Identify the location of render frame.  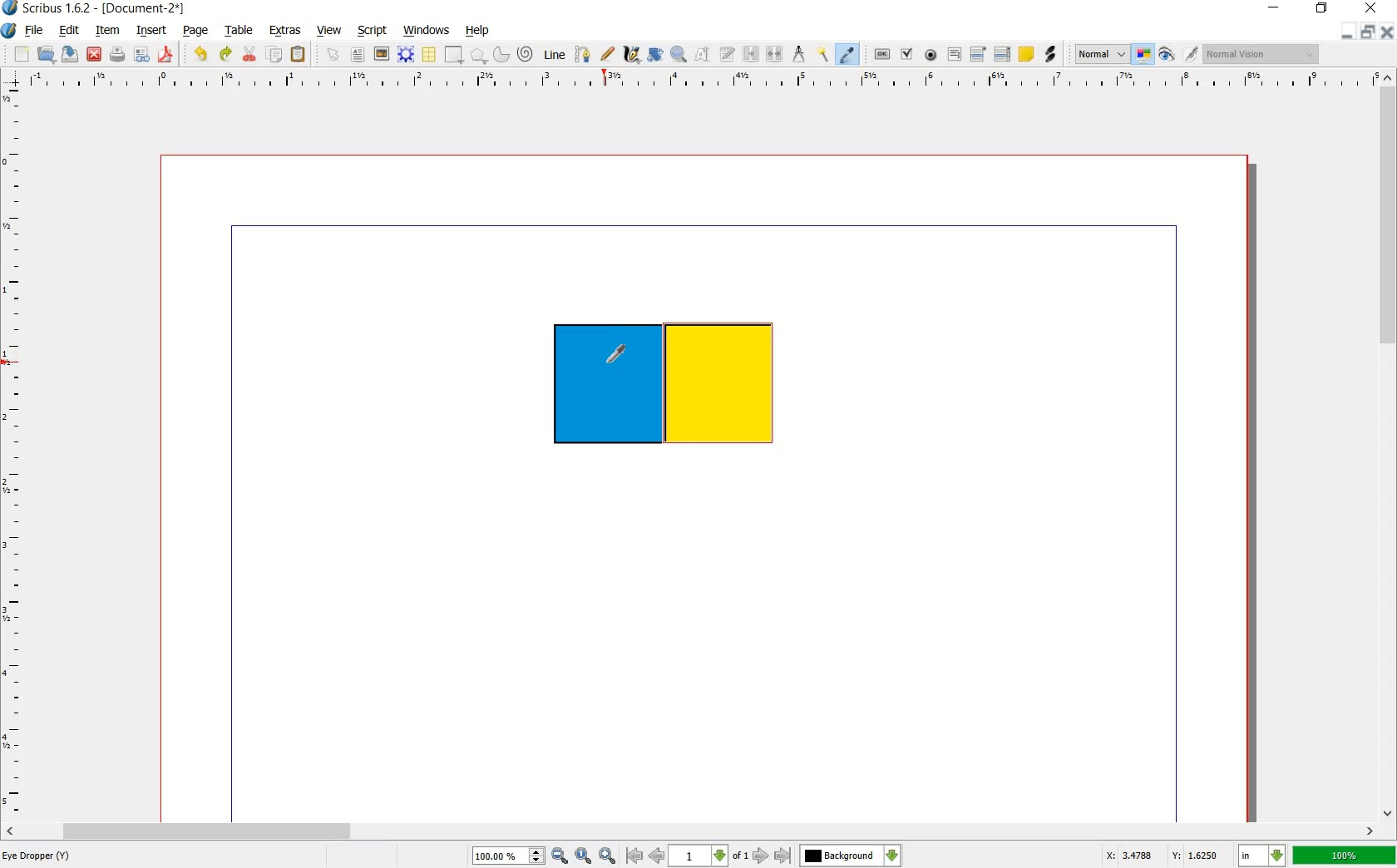
(406, 55).